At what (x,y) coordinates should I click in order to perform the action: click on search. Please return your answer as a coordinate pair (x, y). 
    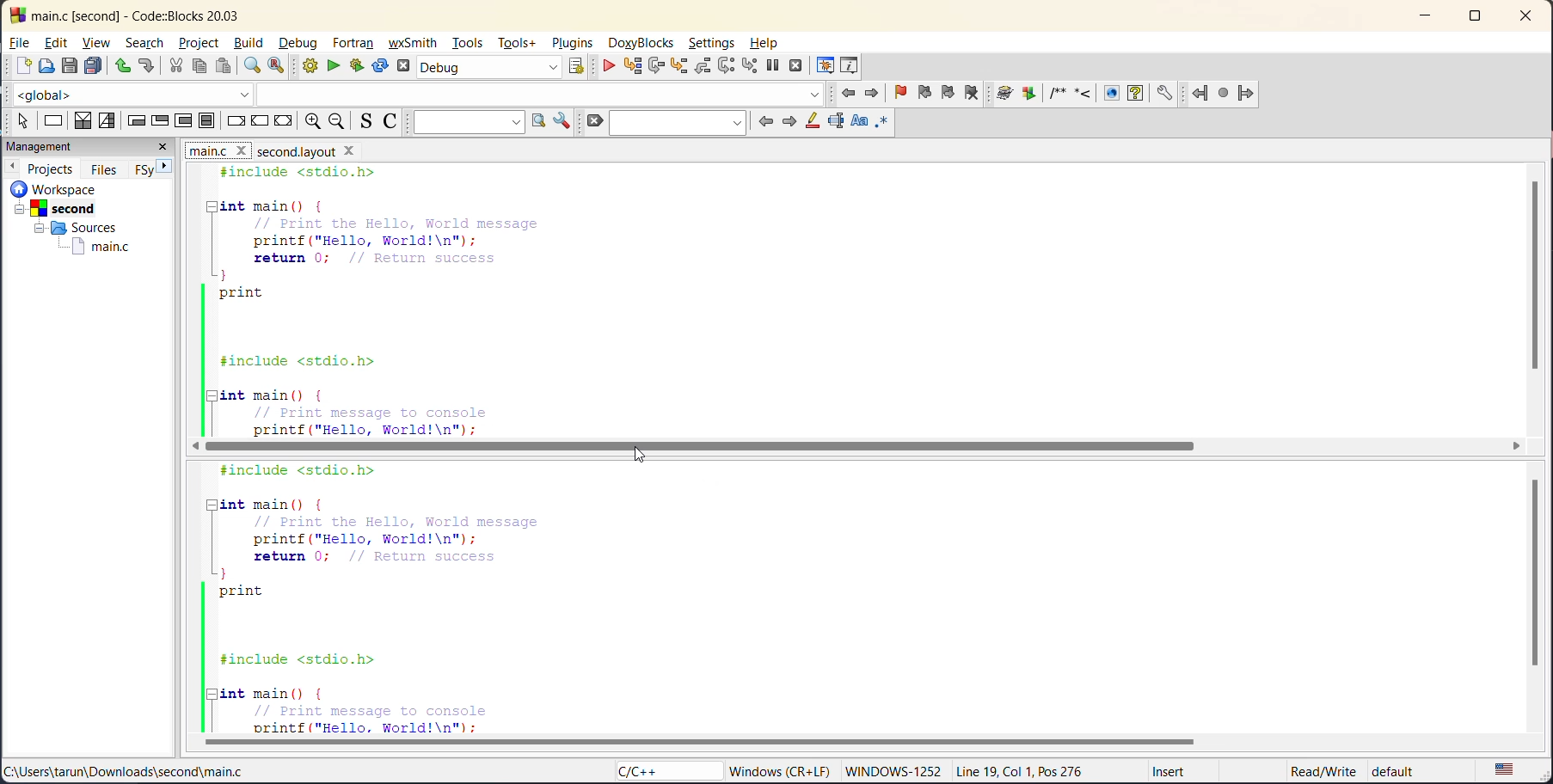
    Looking at the image, I should click on (677, 123).